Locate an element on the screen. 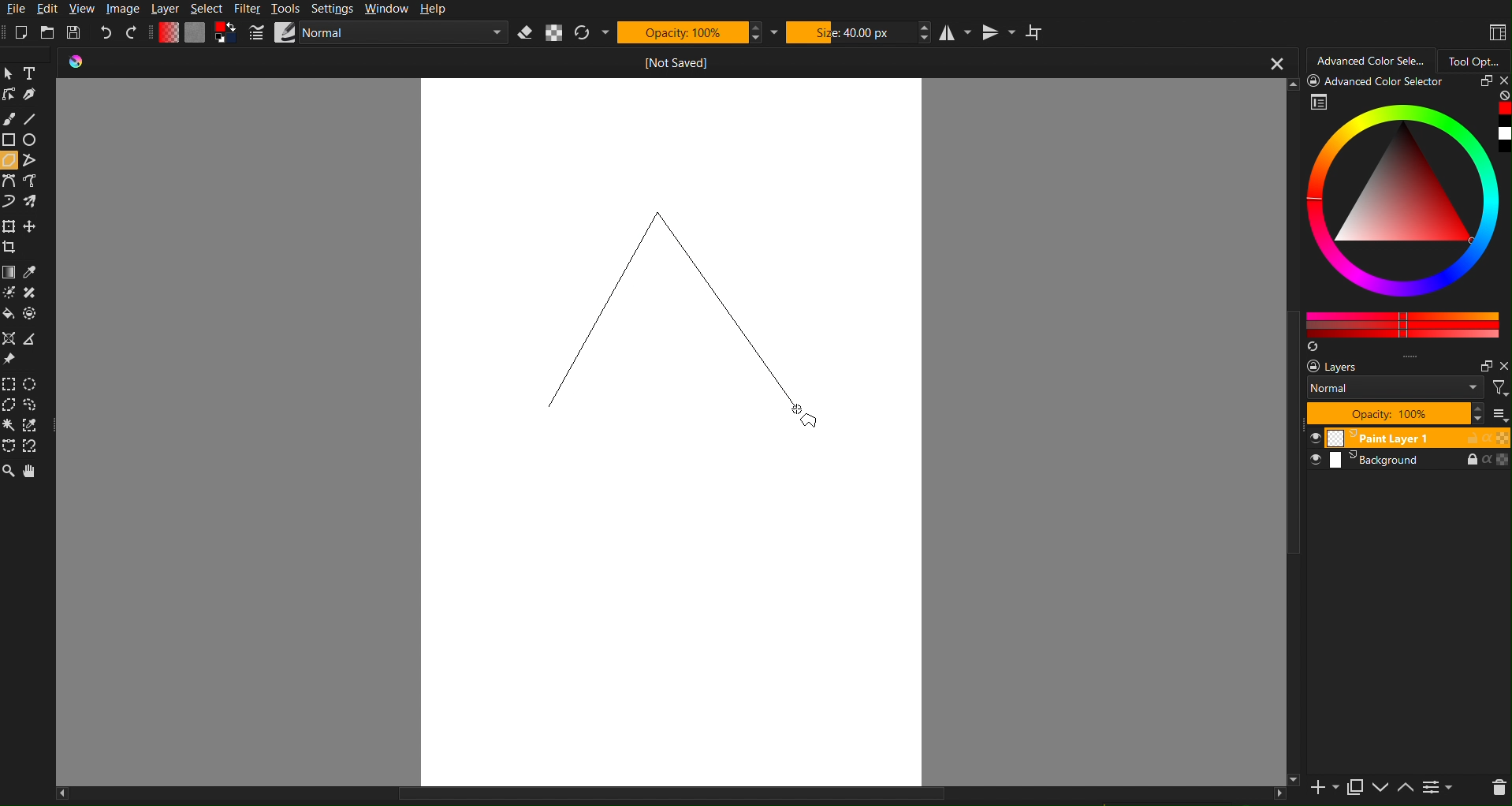  more is located at coordinates (1498, 414).